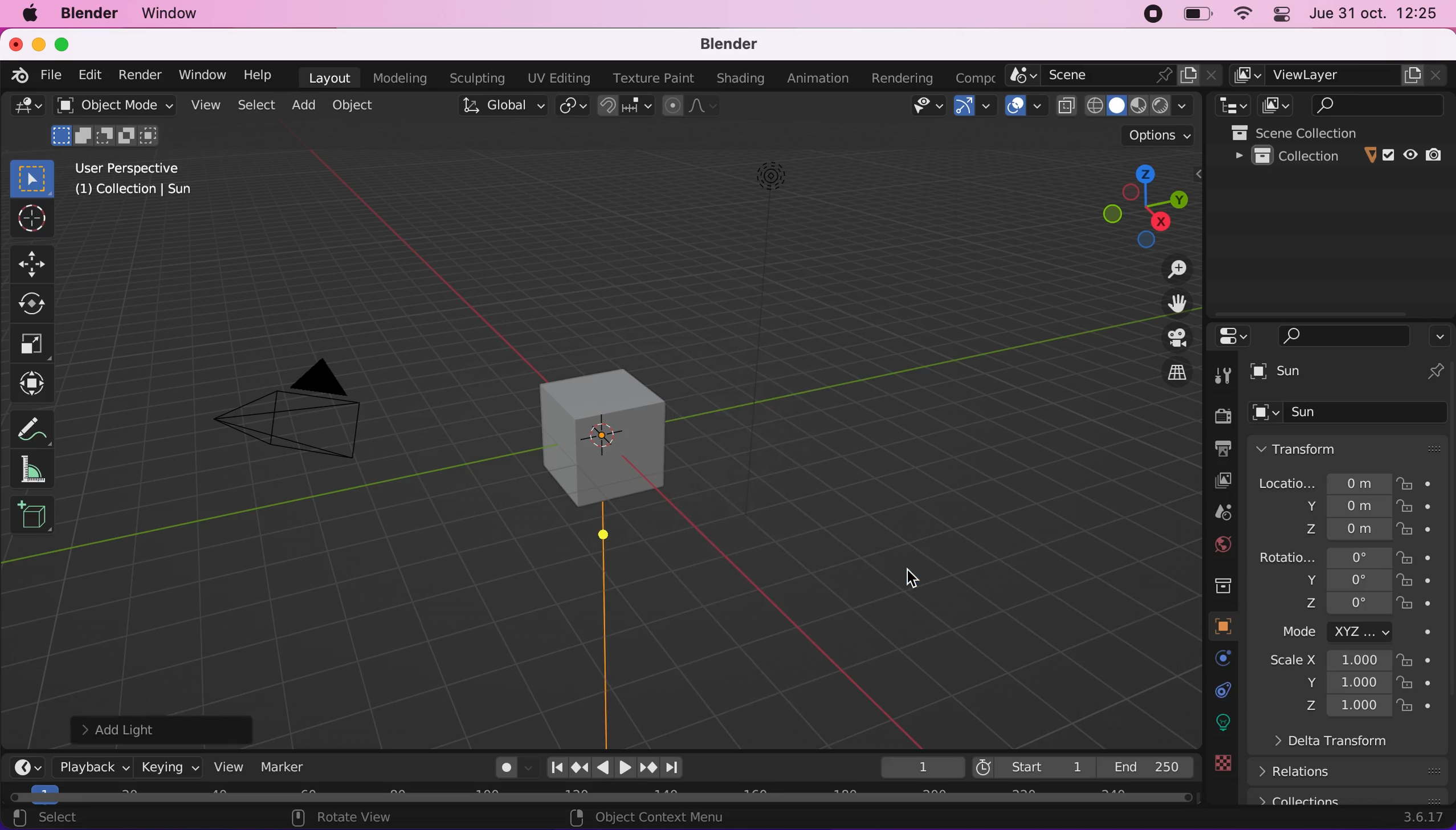 This screenshot has height=830, width=1456. I want to click on mac logo, so click(31, 16).